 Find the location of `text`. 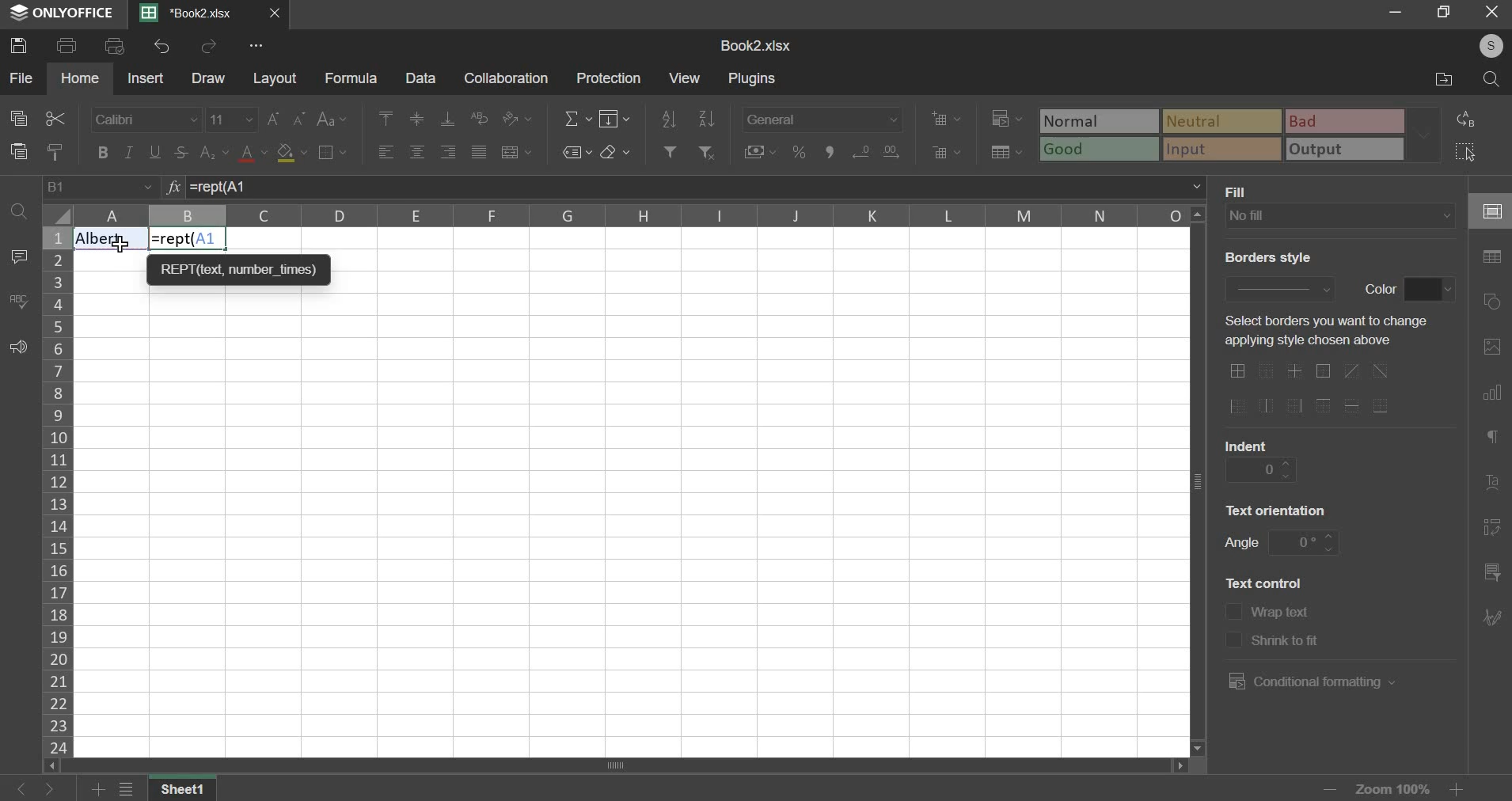

text is located at coordinates (1324, 331).